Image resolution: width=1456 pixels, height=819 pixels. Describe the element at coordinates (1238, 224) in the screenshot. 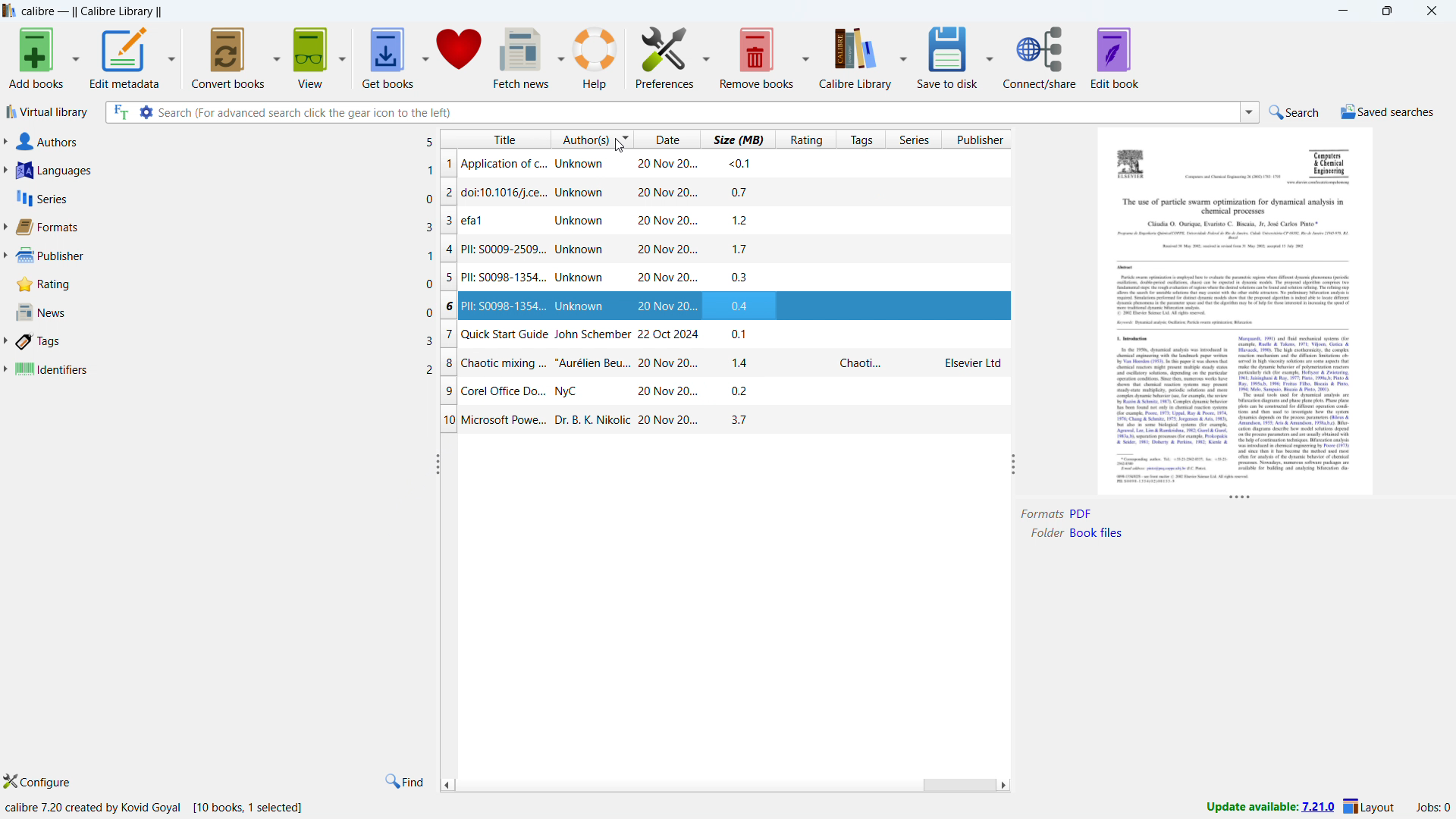

I see `` at that location.